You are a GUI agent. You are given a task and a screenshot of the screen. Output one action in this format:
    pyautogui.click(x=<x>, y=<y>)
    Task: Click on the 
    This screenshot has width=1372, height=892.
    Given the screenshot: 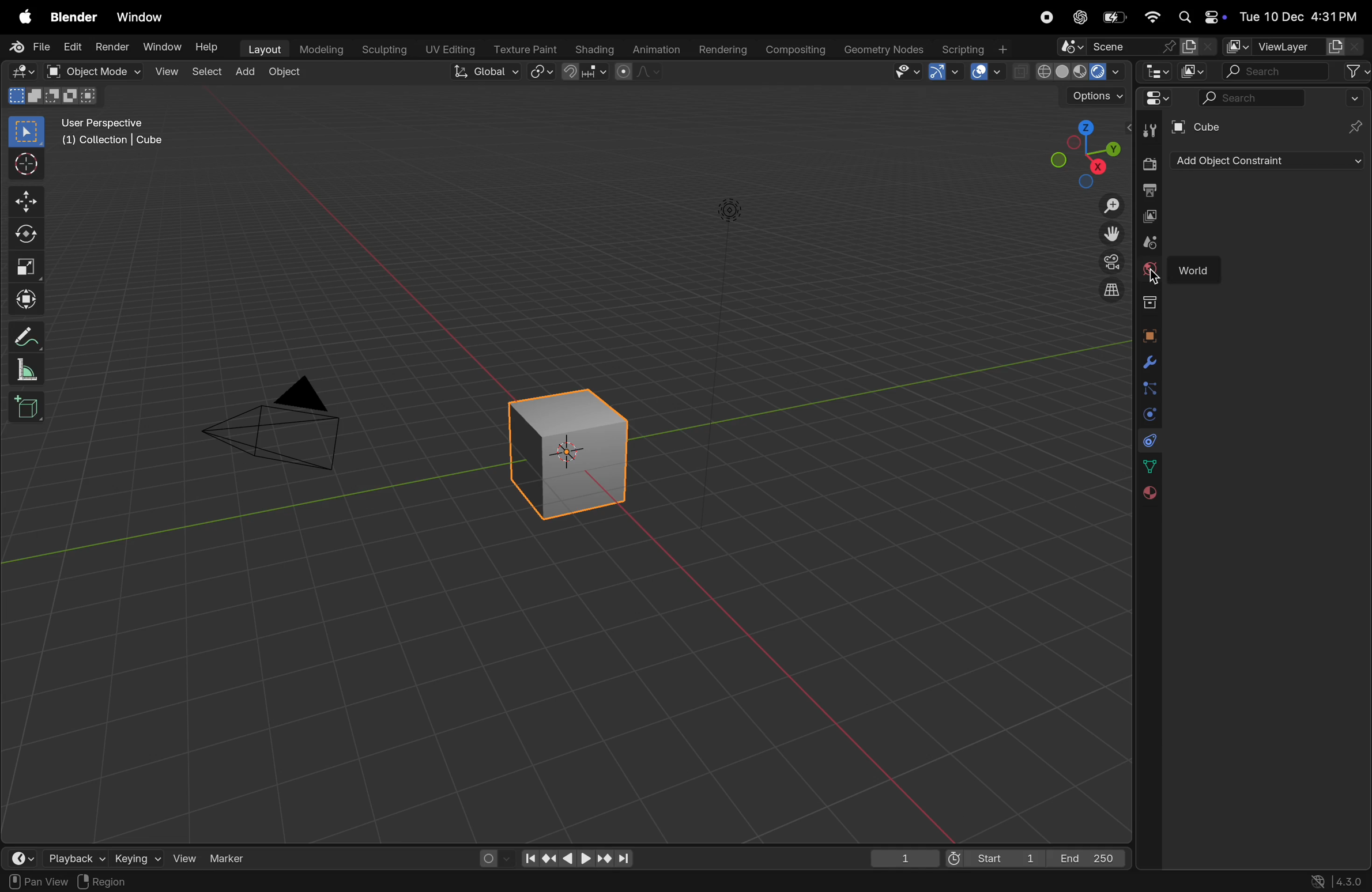 What is the action you would take?
    pyautogui.click(x=246, y=72)
    